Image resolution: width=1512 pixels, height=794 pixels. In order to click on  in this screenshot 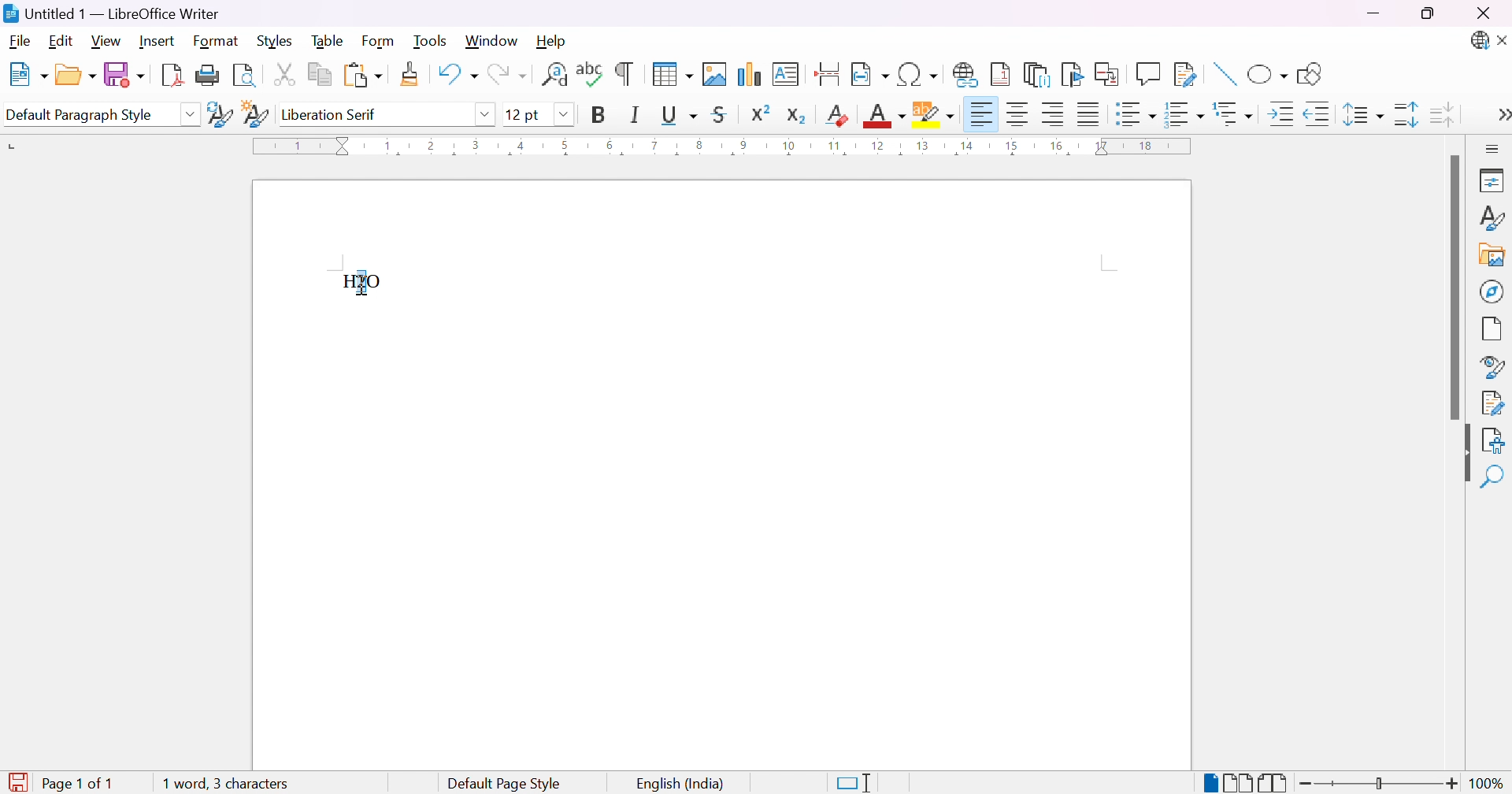, I will do `click(556, 76)`.